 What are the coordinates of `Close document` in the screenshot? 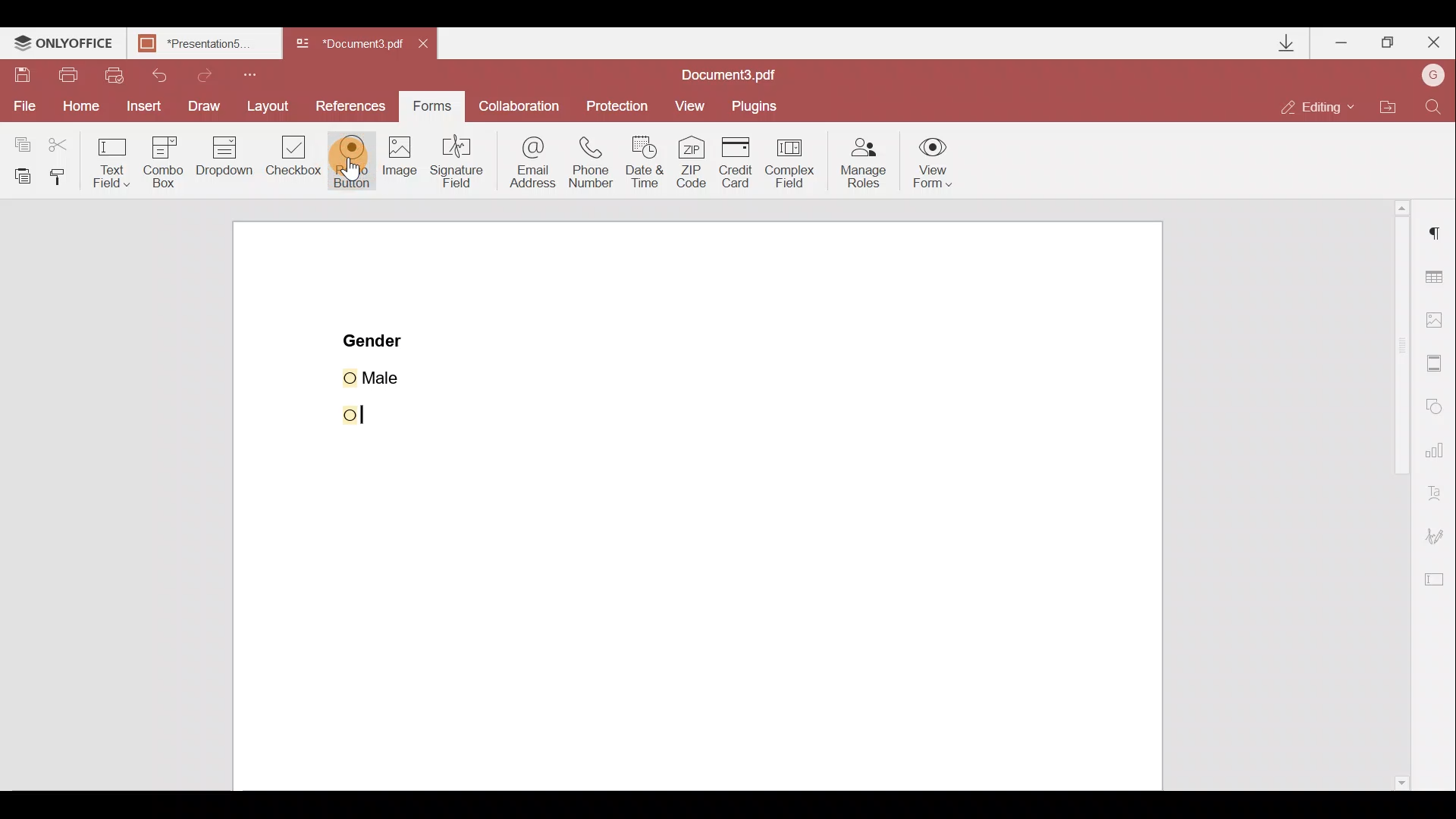 It's located at (427, 45).